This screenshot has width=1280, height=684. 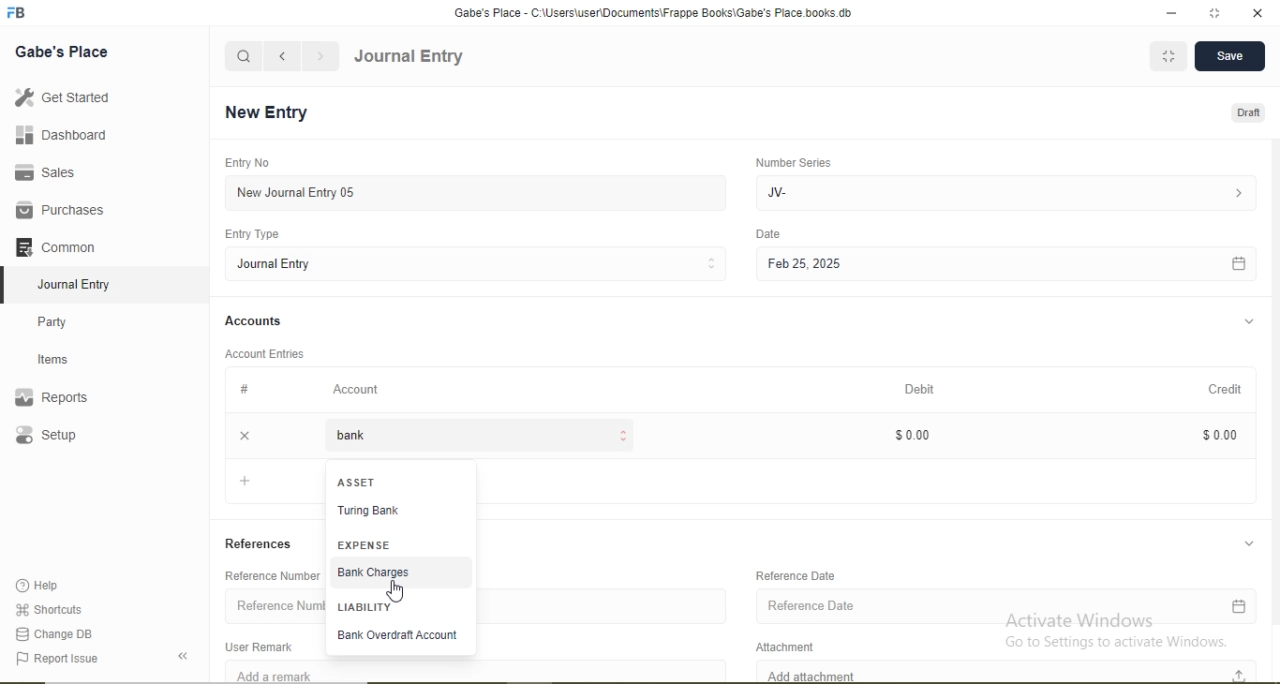 I want to click on navigate backward, so click(x=281, y=56).